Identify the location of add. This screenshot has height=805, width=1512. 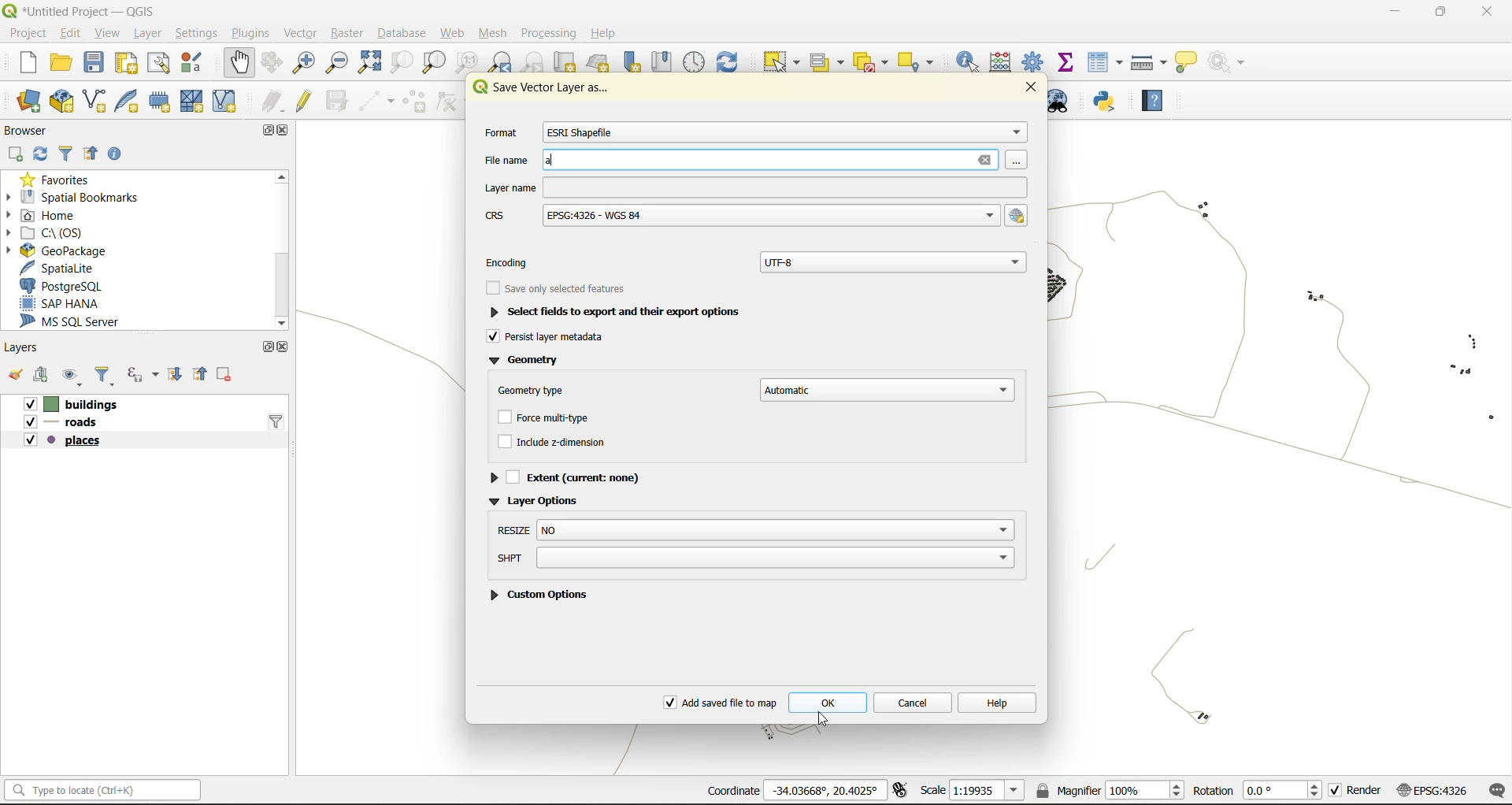
(46, 377).